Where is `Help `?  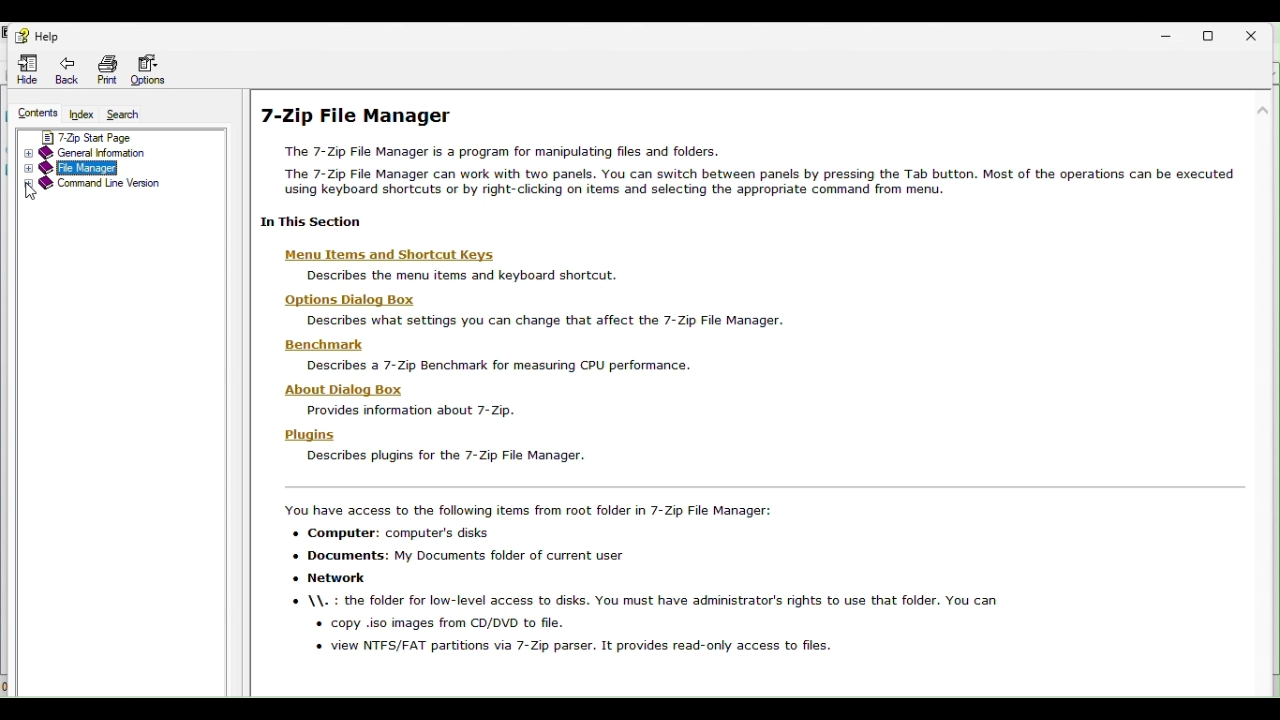
Help  is located at coordinates (34, 32).